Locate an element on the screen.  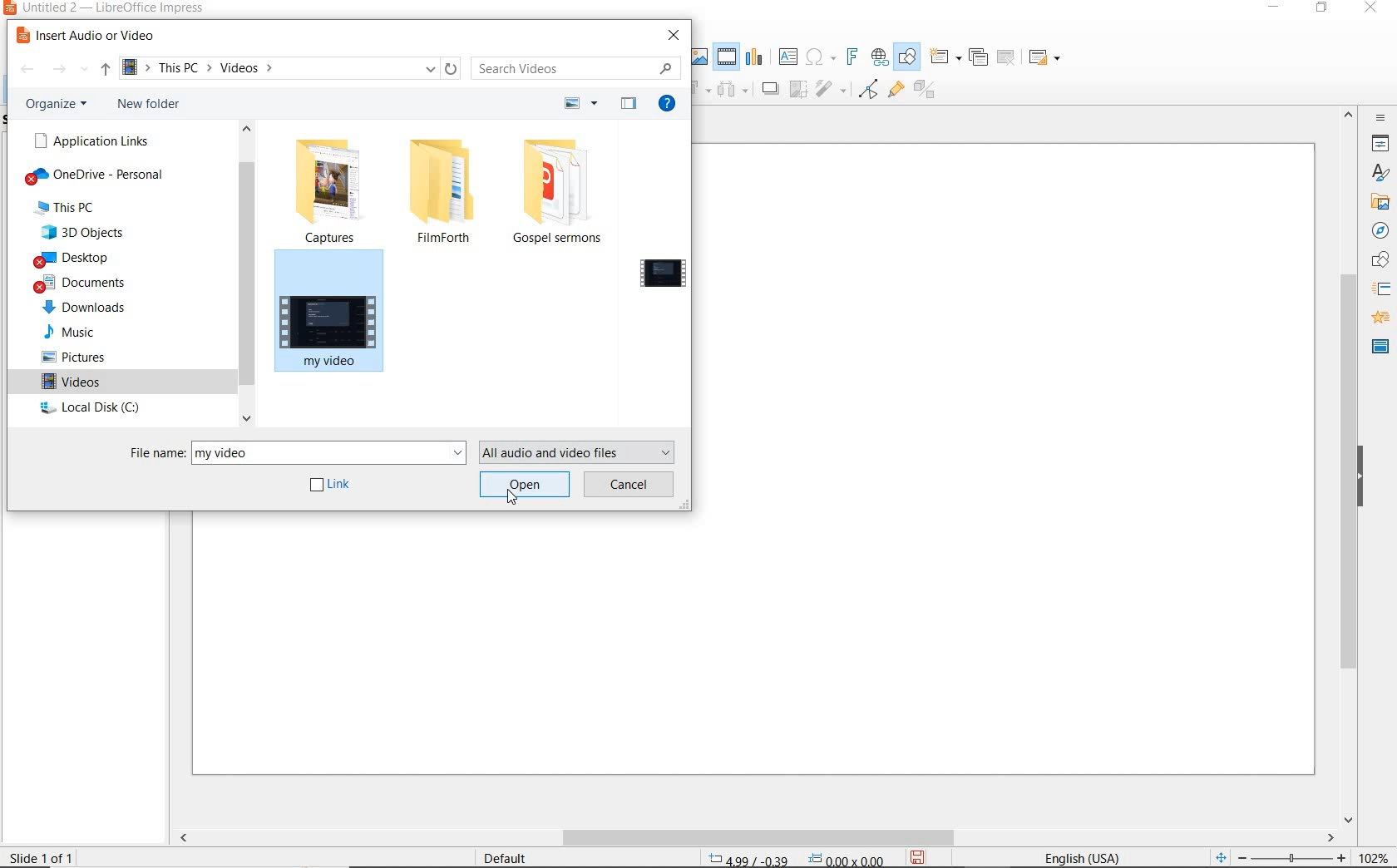
filmforth folder is located at coordinates (441, 191).